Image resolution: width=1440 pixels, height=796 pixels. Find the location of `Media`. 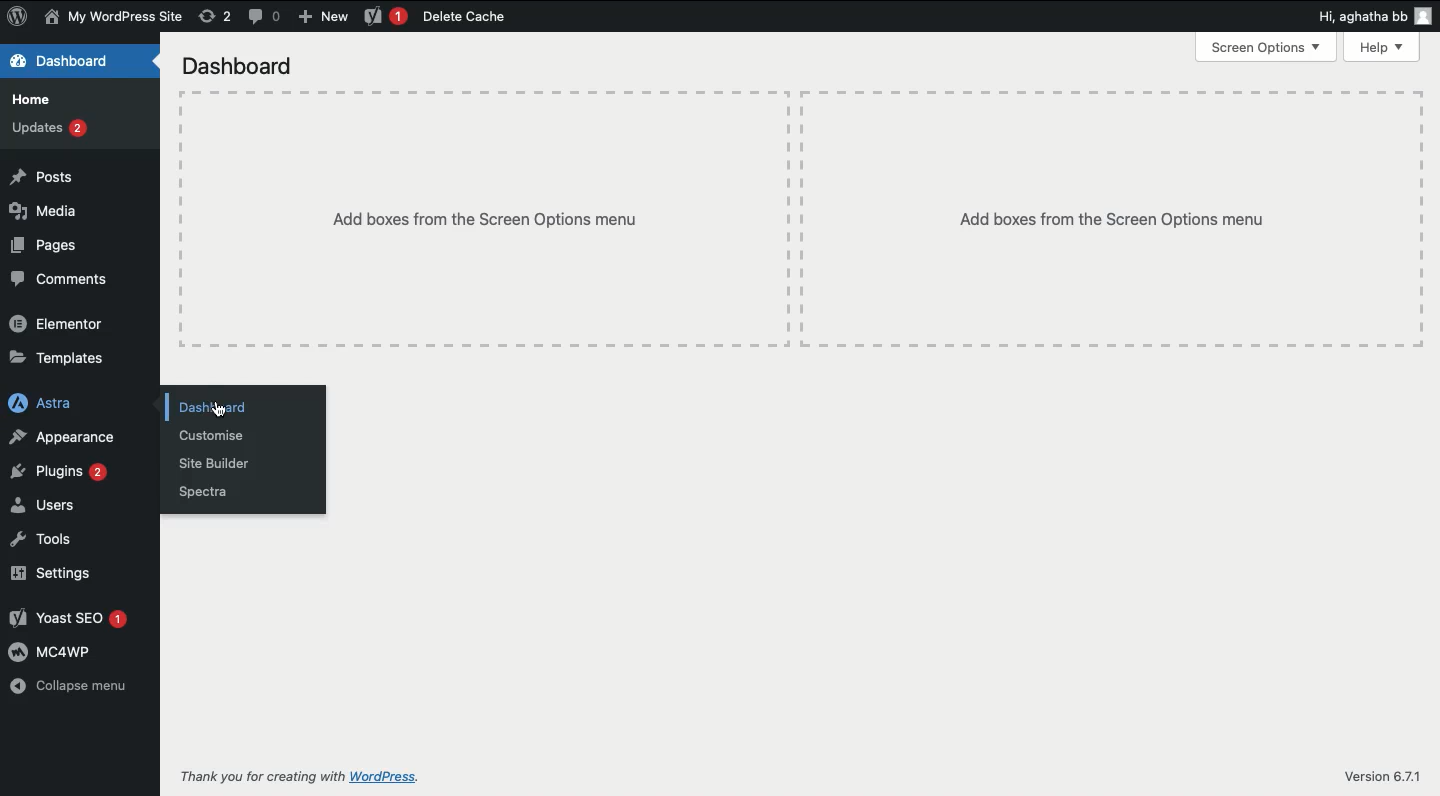

Media is located at coordinates (44, 211).